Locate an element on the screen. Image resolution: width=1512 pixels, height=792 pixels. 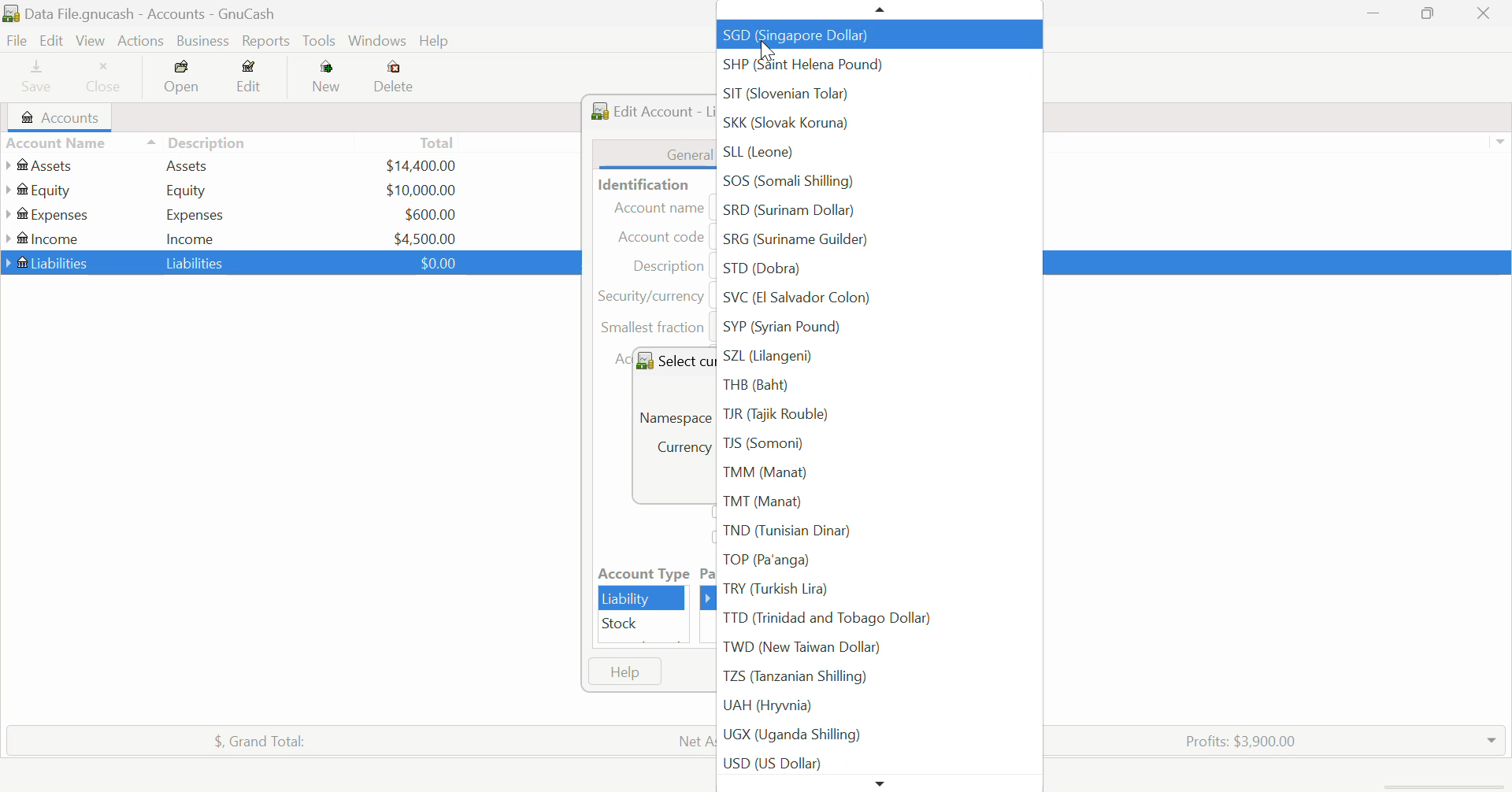
SRD is located at coordinates (878, 213).